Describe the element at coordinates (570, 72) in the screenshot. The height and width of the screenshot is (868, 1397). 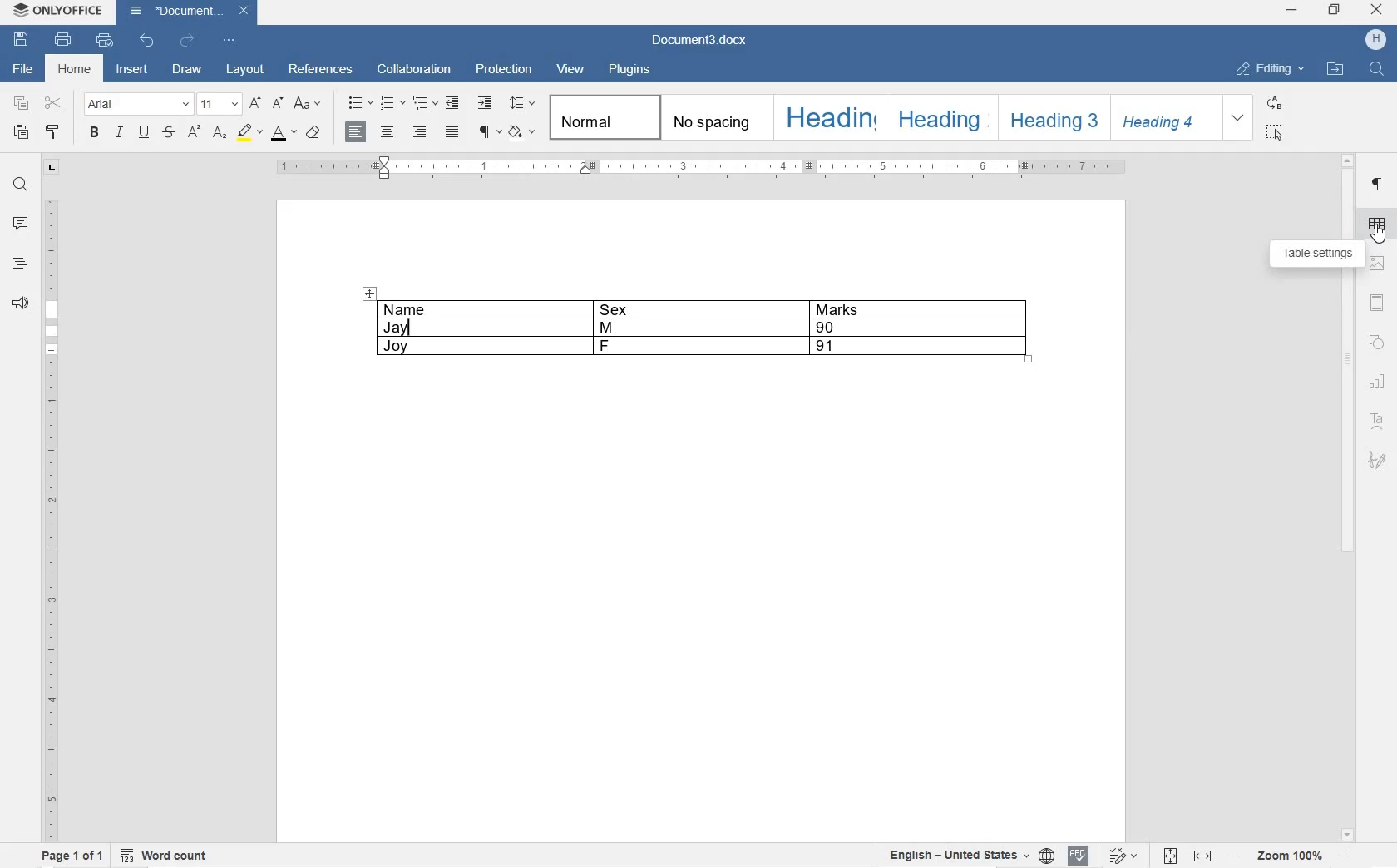
I see `VIEW` at that location.